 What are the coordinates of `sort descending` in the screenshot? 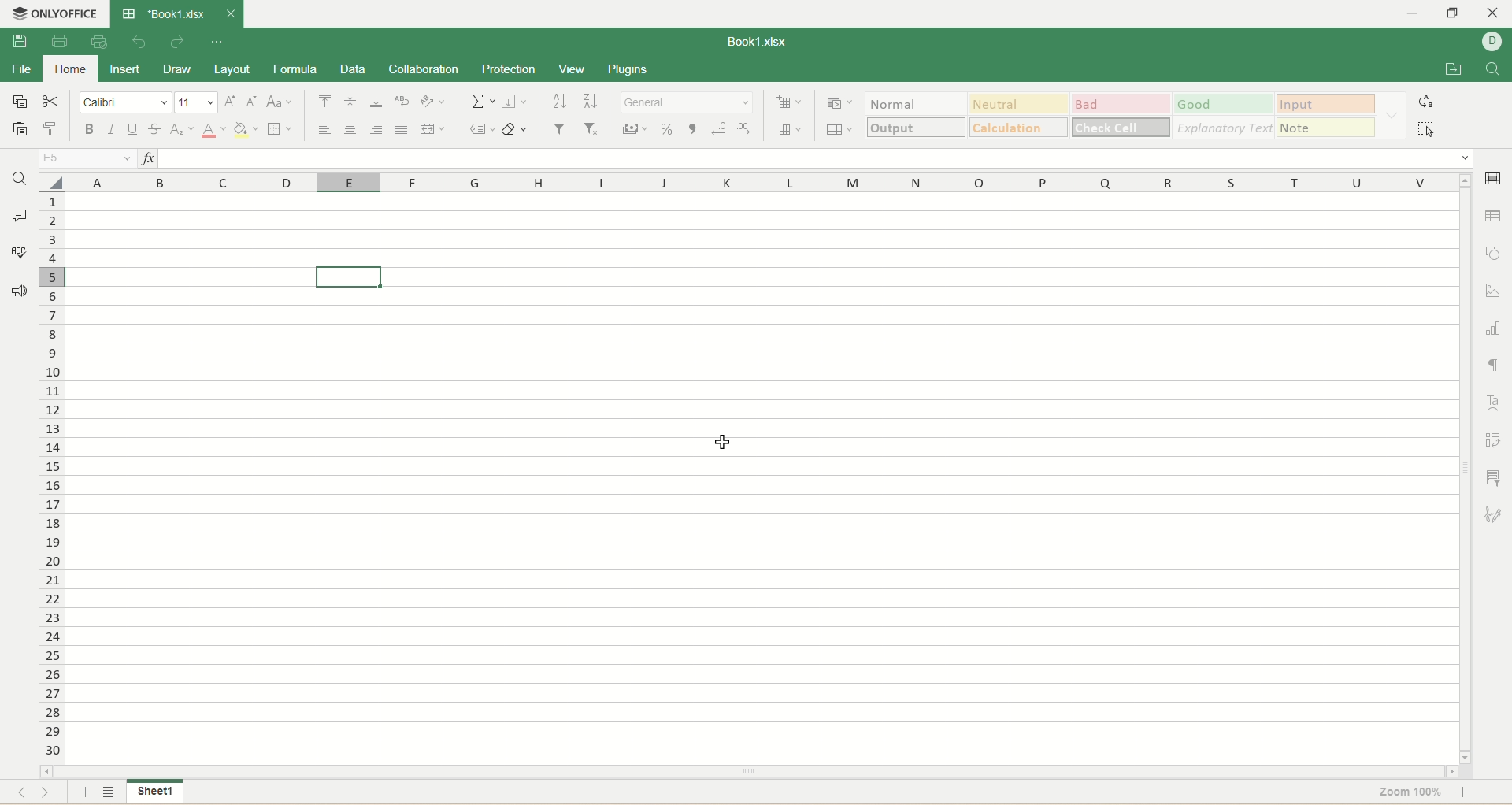 It's located at (591, 102).